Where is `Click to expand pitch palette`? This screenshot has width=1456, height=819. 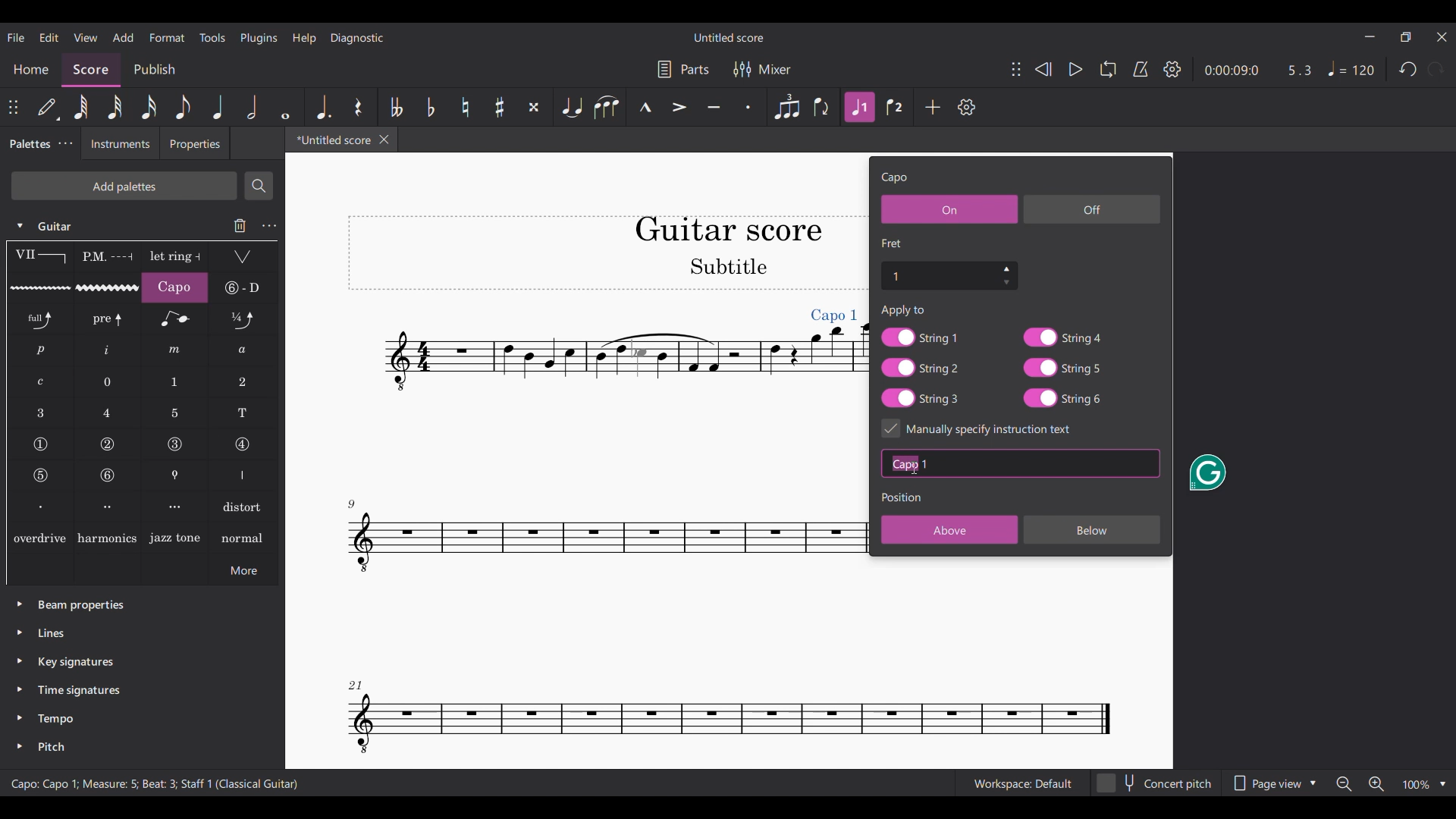 Click to expand pitch palette is located at coordinates (20, 746).